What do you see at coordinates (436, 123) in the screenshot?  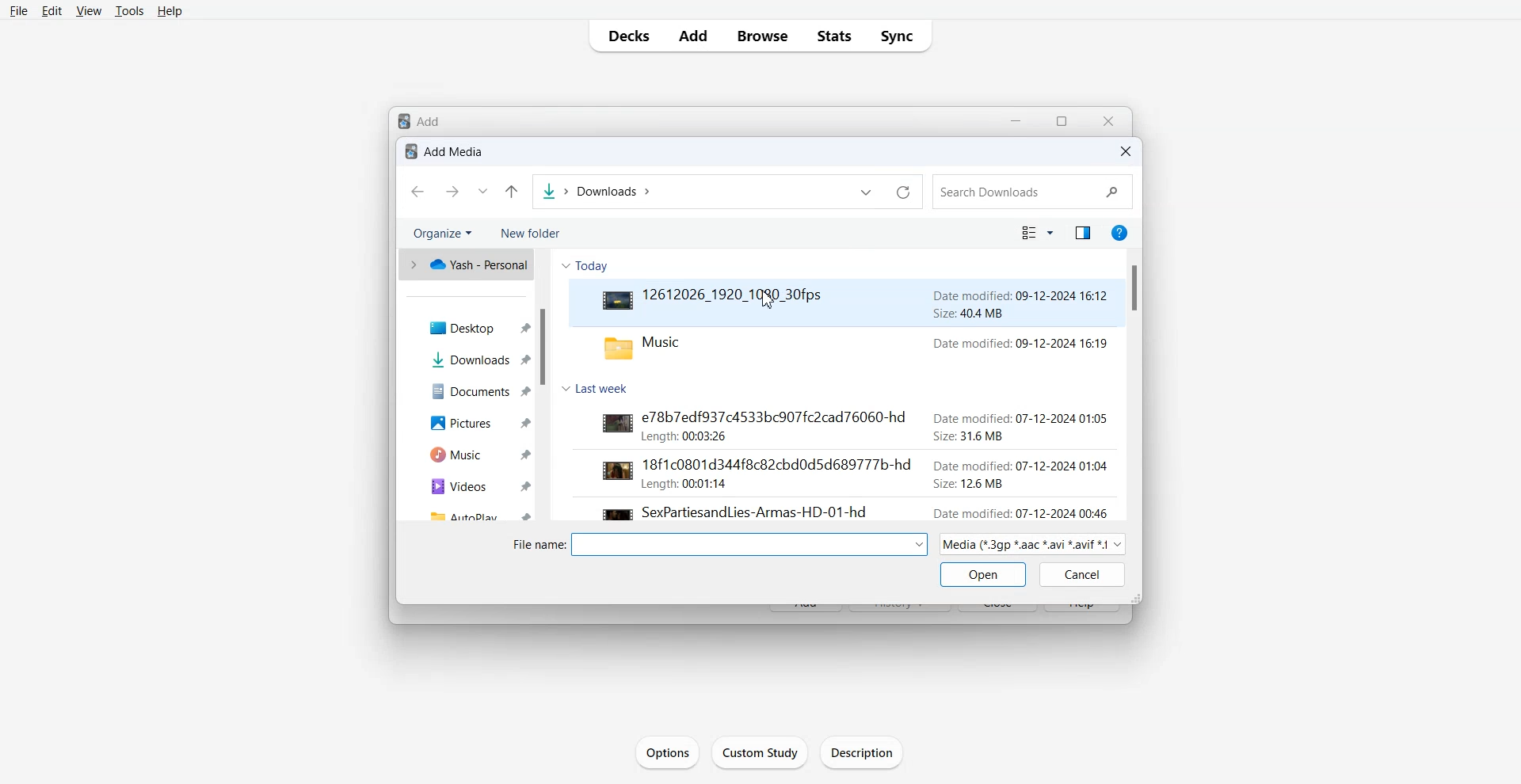 I see `Add` at bounding box center [436, 123].